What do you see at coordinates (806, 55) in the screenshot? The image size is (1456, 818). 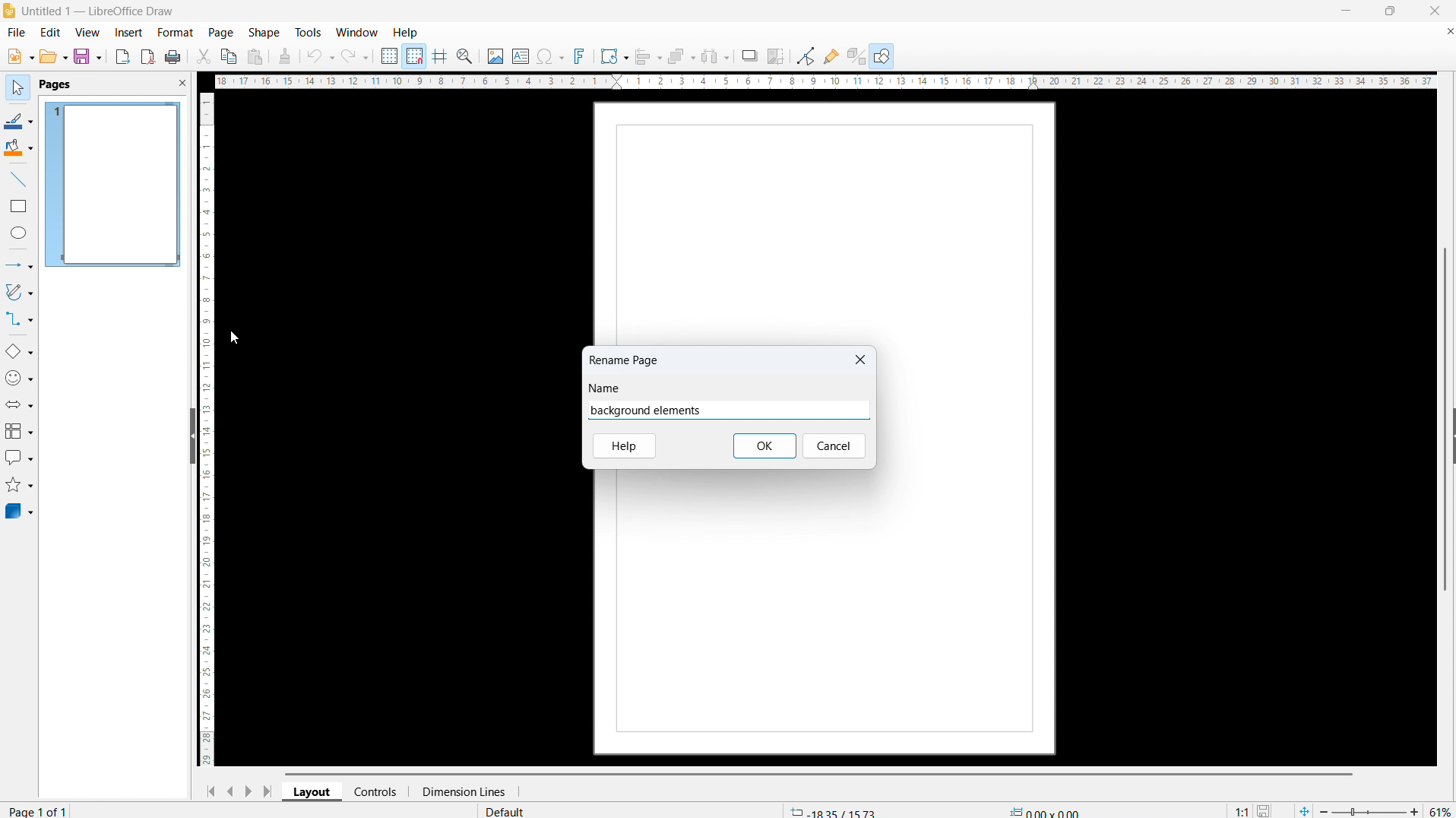 I see `toggle point edit mode` at bounding box center [806, 55].